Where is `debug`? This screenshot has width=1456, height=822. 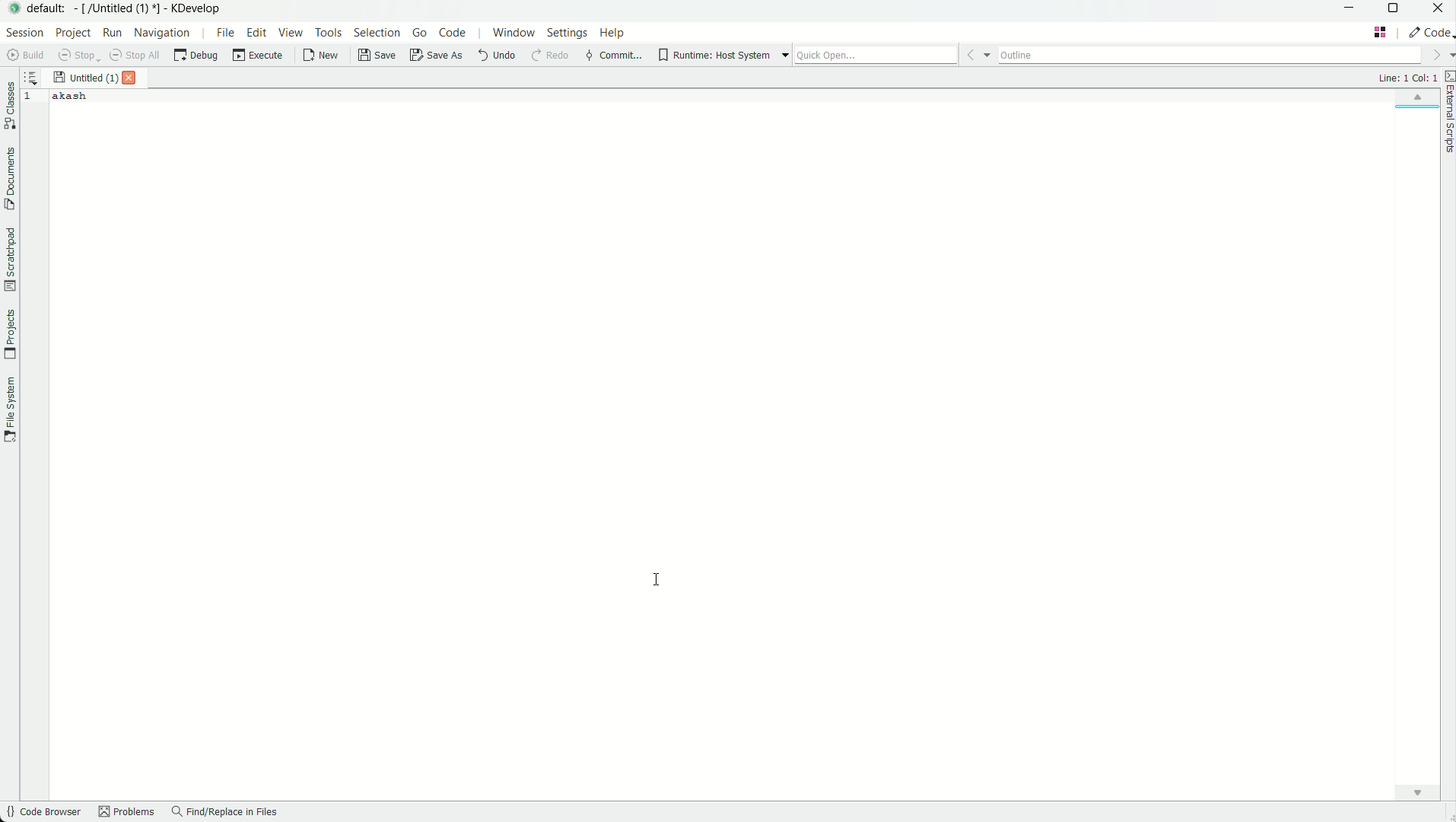
debug is located at coordinates (196, 56).